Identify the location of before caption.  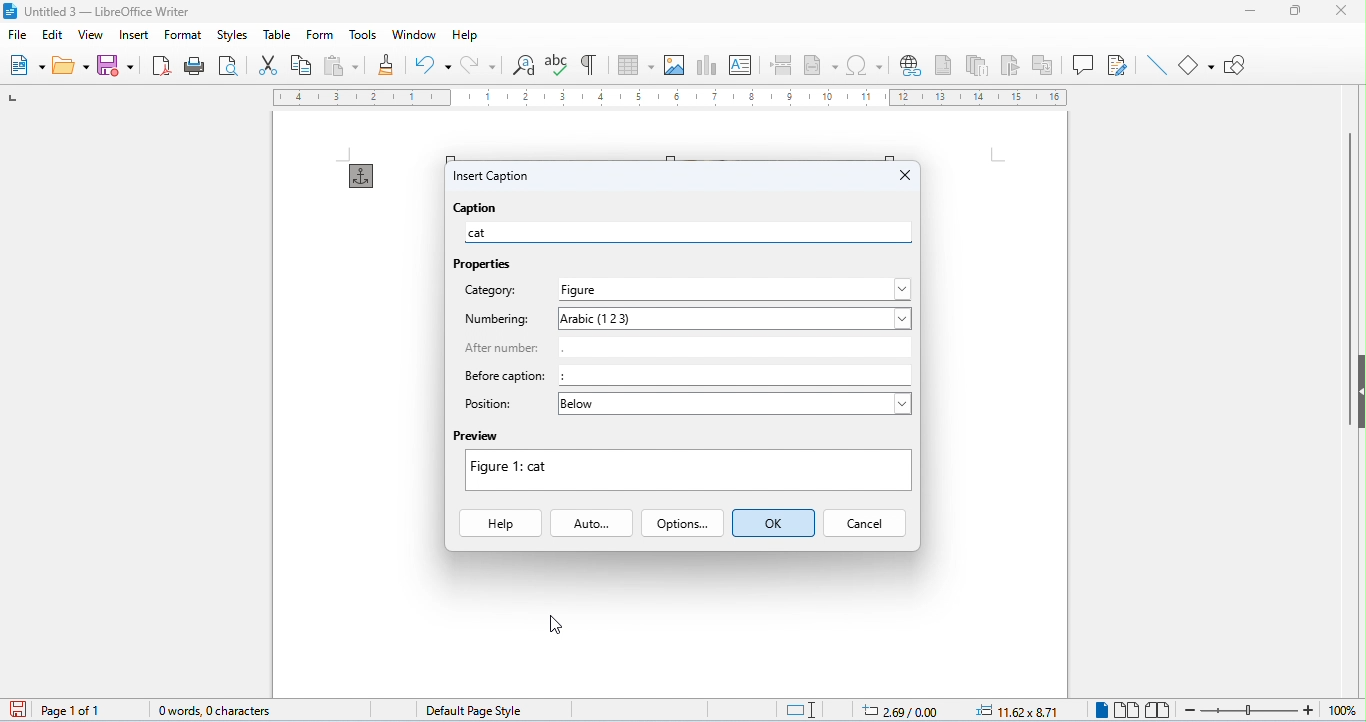
(506, 376).